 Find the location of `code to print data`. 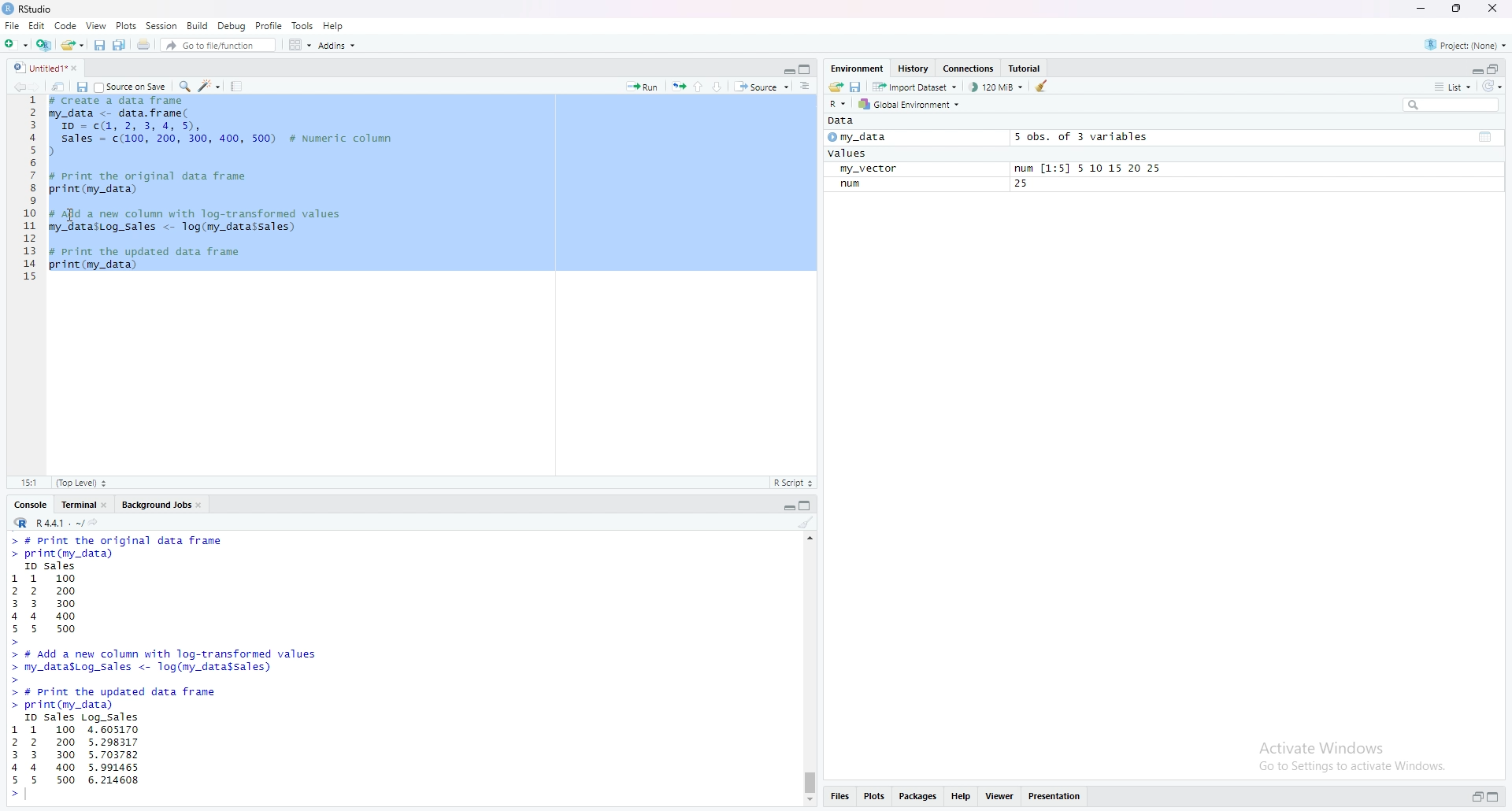

code to print data is located at coordinates (126, 547).